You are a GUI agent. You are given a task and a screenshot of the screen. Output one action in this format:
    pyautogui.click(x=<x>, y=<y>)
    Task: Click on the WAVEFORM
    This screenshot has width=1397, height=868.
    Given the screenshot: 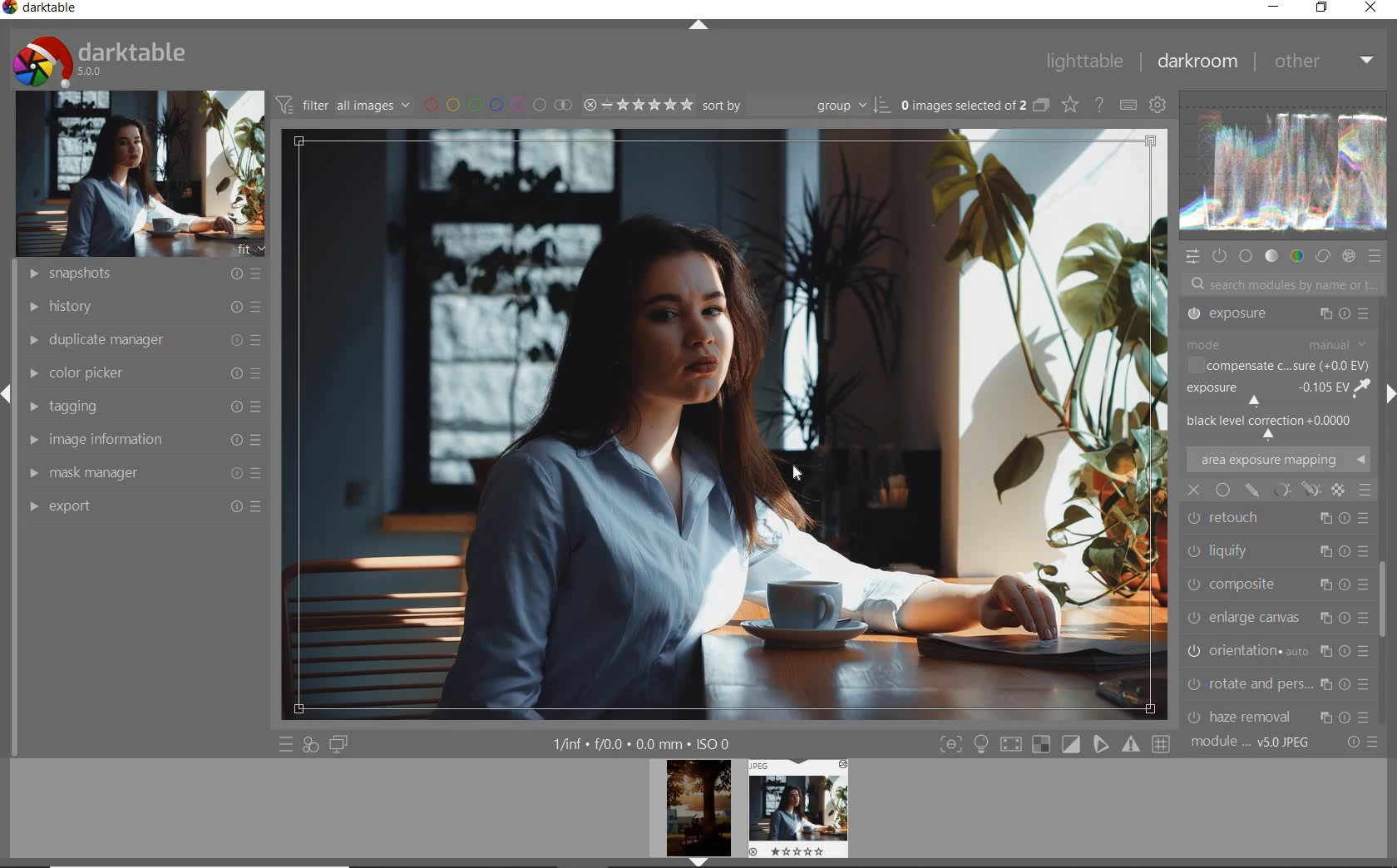 What is the action you would take?
    pyautogui.click(x=1285, y=165)
    